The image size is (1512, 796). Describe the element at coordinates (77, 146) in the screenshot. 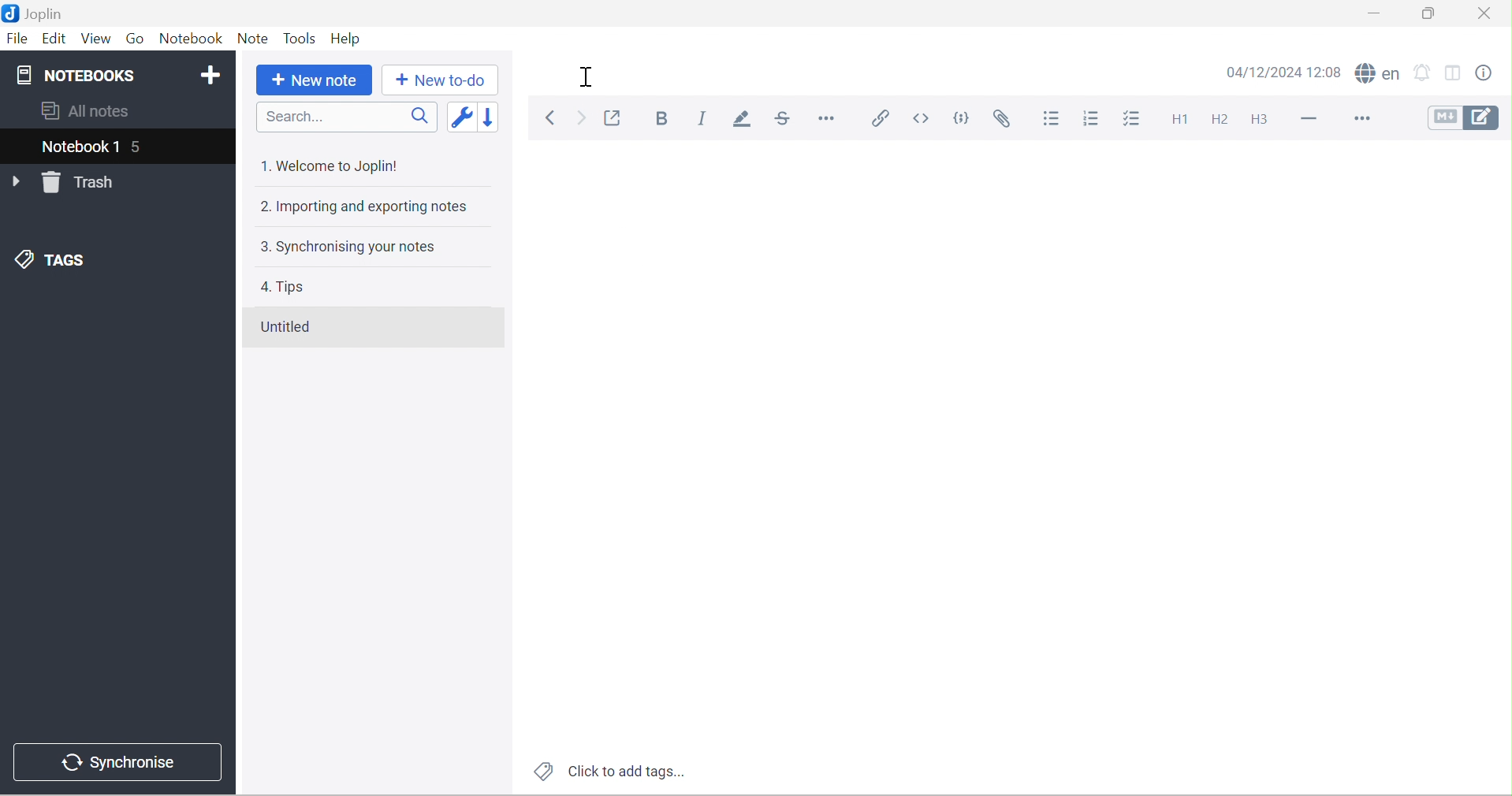

I see `Notebook 1` at that location.